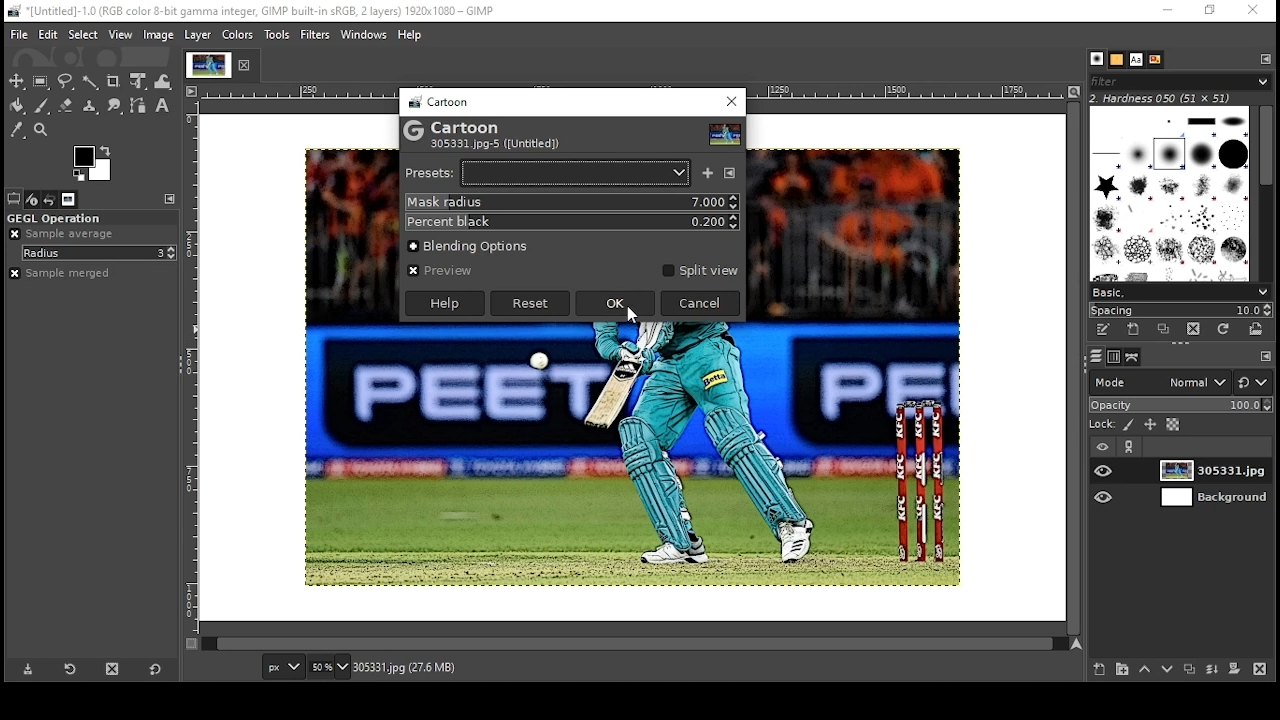  I want to click on units, so click(283, 666).